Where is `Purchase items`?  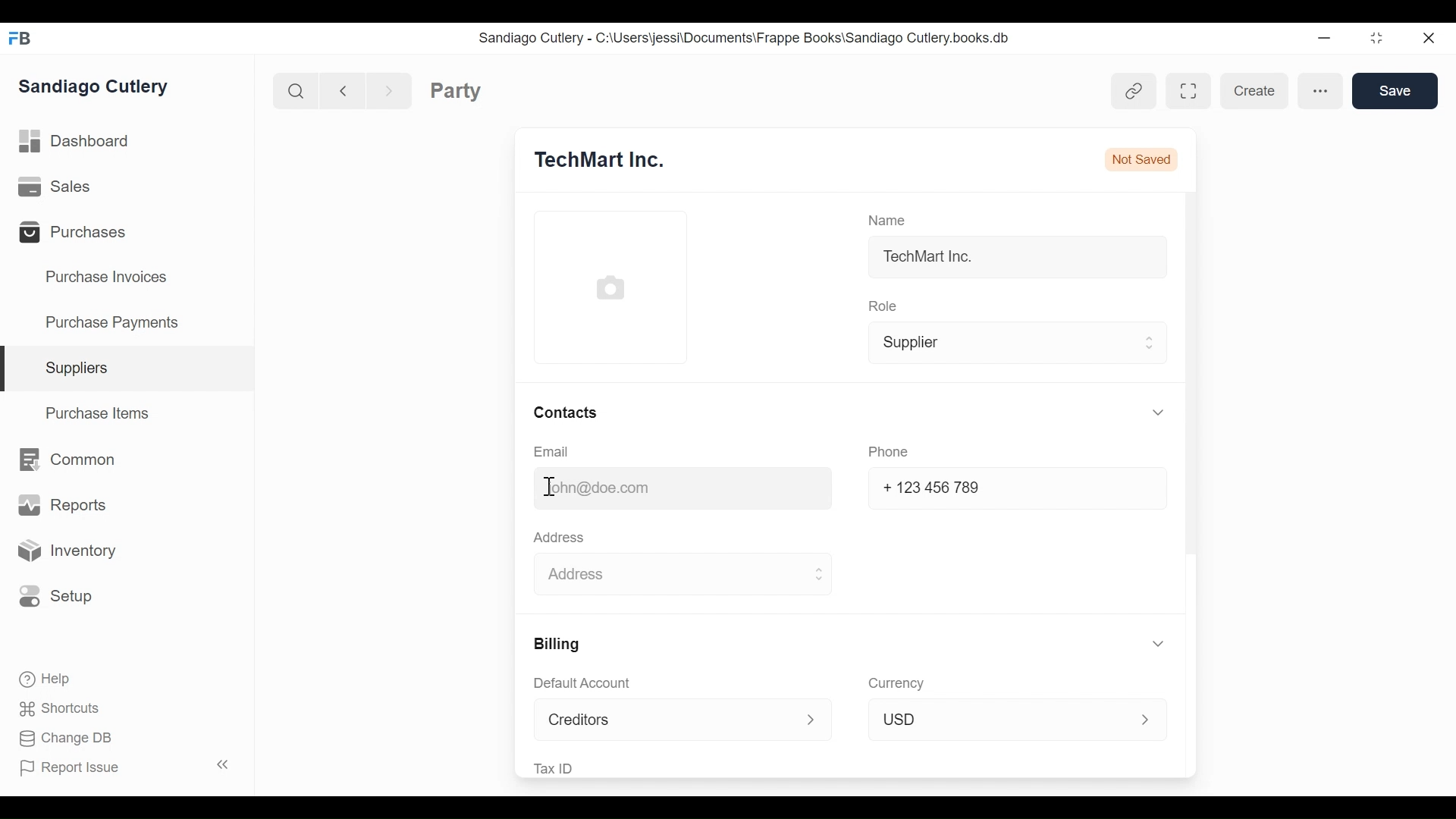 Purchase items is located at coordinates (100, 416).